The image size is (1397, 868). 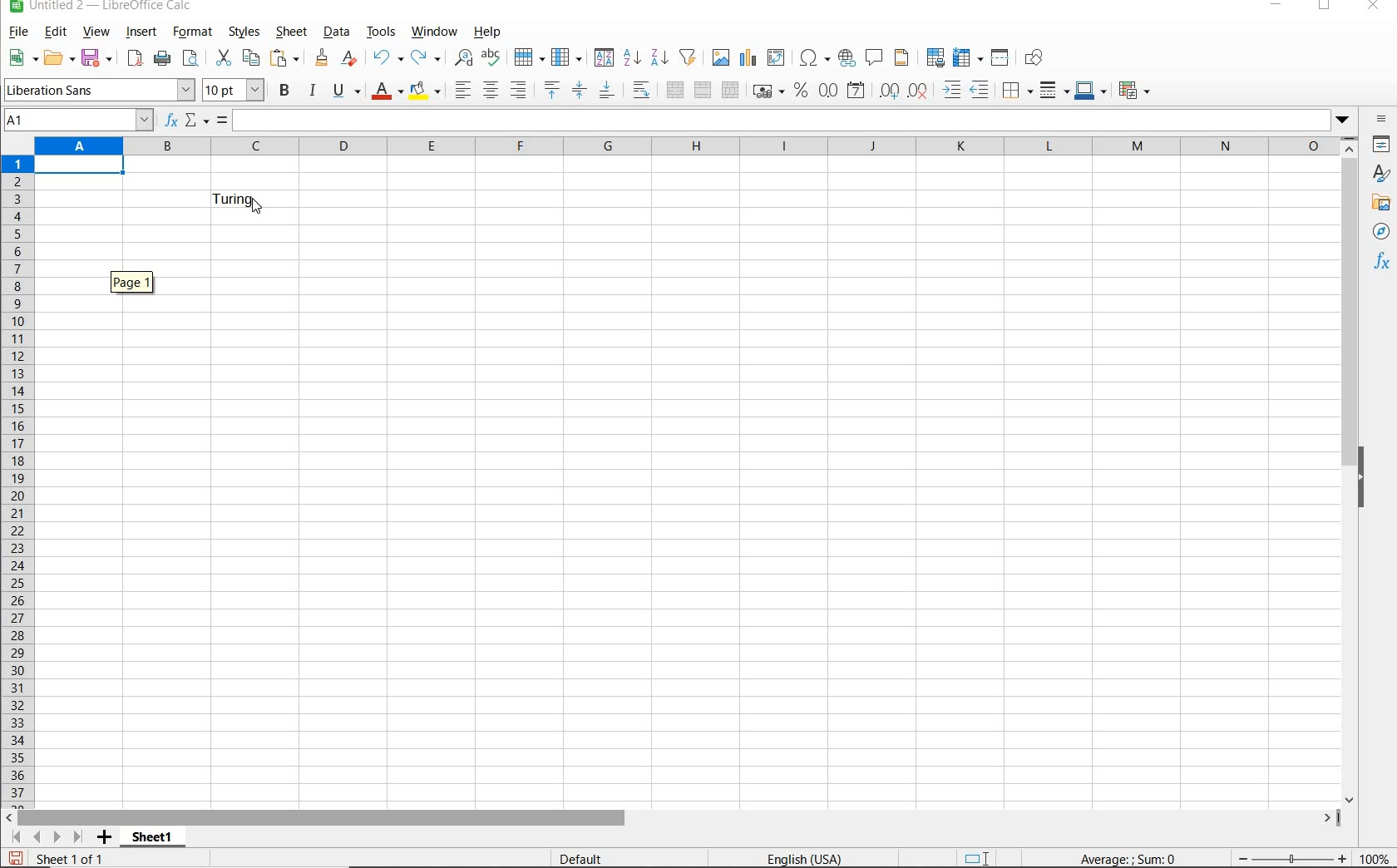 I want to click on FUNCTION WIZARD, so click(x=172, y=121).